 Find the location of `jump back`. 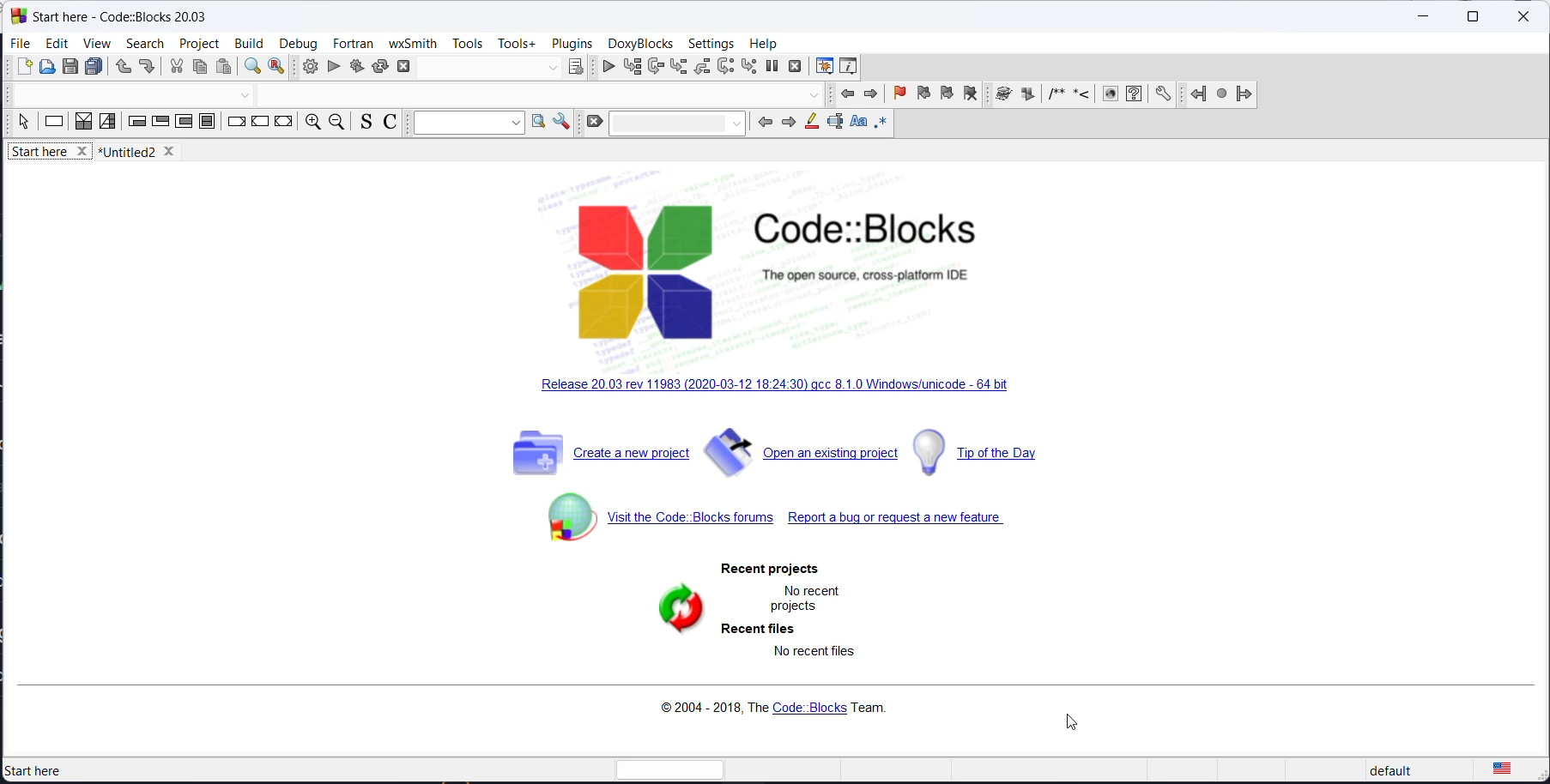

jump back is located at coordinates (1195, 94).